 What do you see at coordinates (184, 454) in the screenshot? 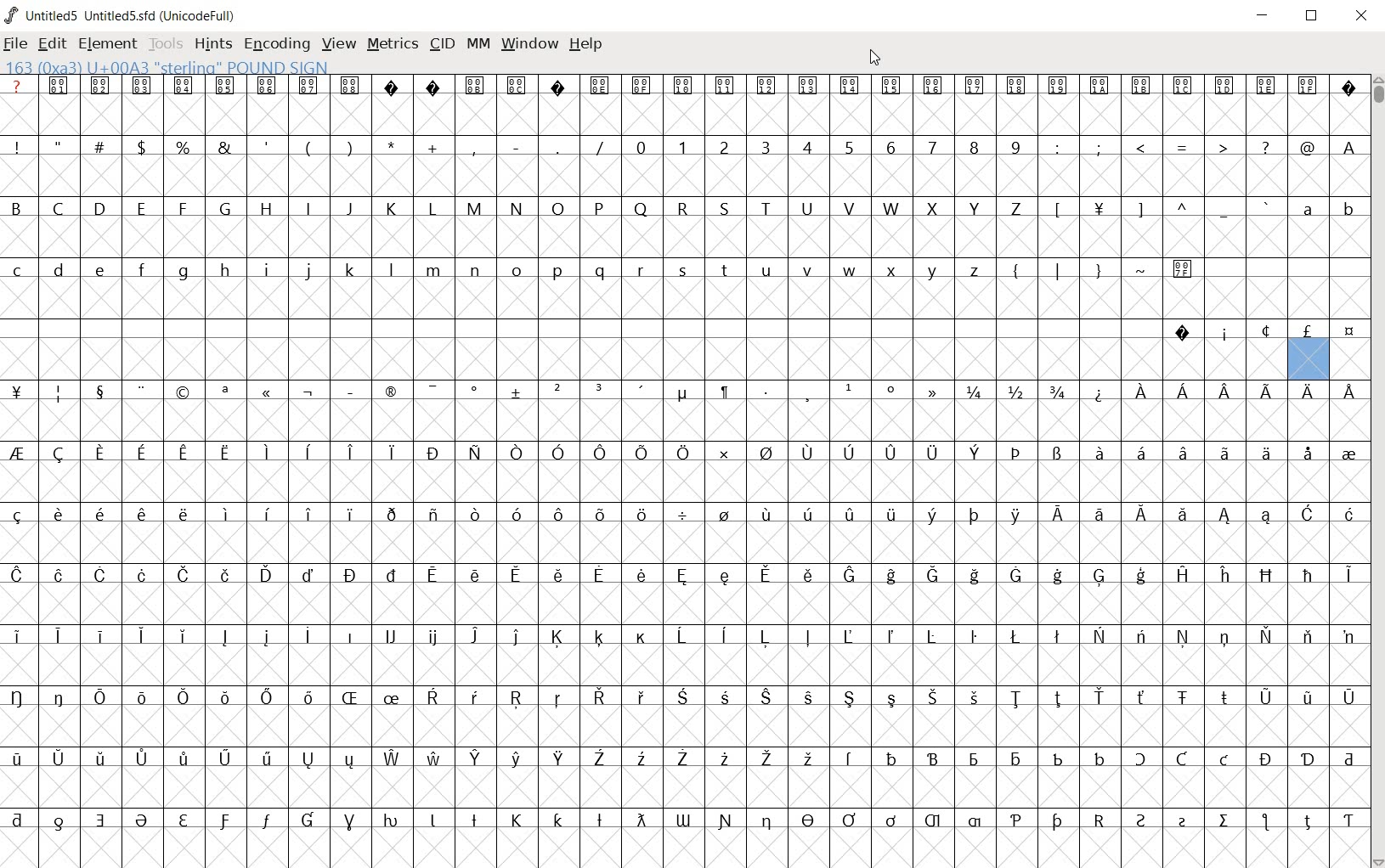
I see `Symbol` at bounding box center [184, 454].